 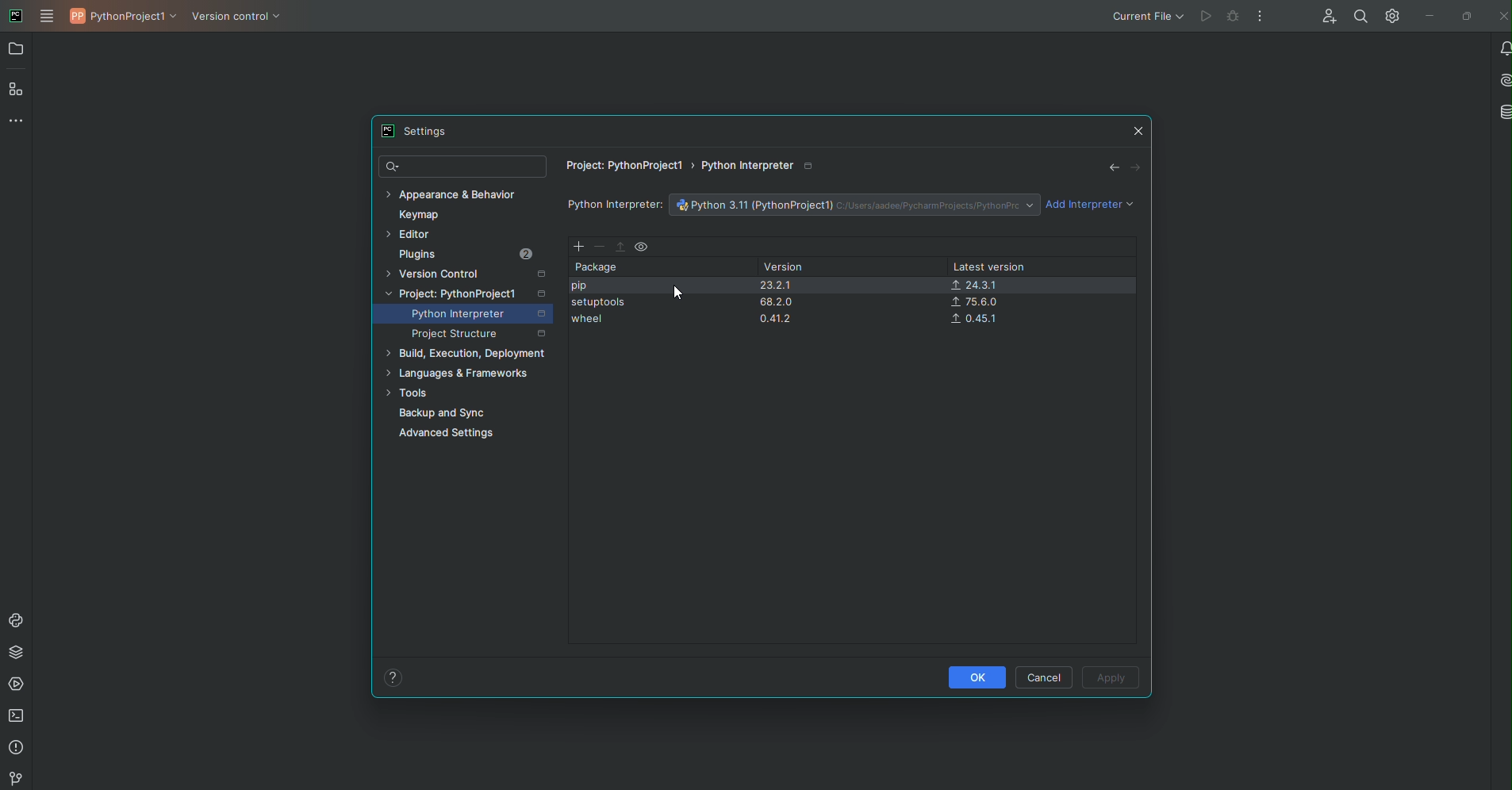 What do you see at coordinates (581, 287) in the screenshot?
I see `pip` at bounding box center [581, 287].